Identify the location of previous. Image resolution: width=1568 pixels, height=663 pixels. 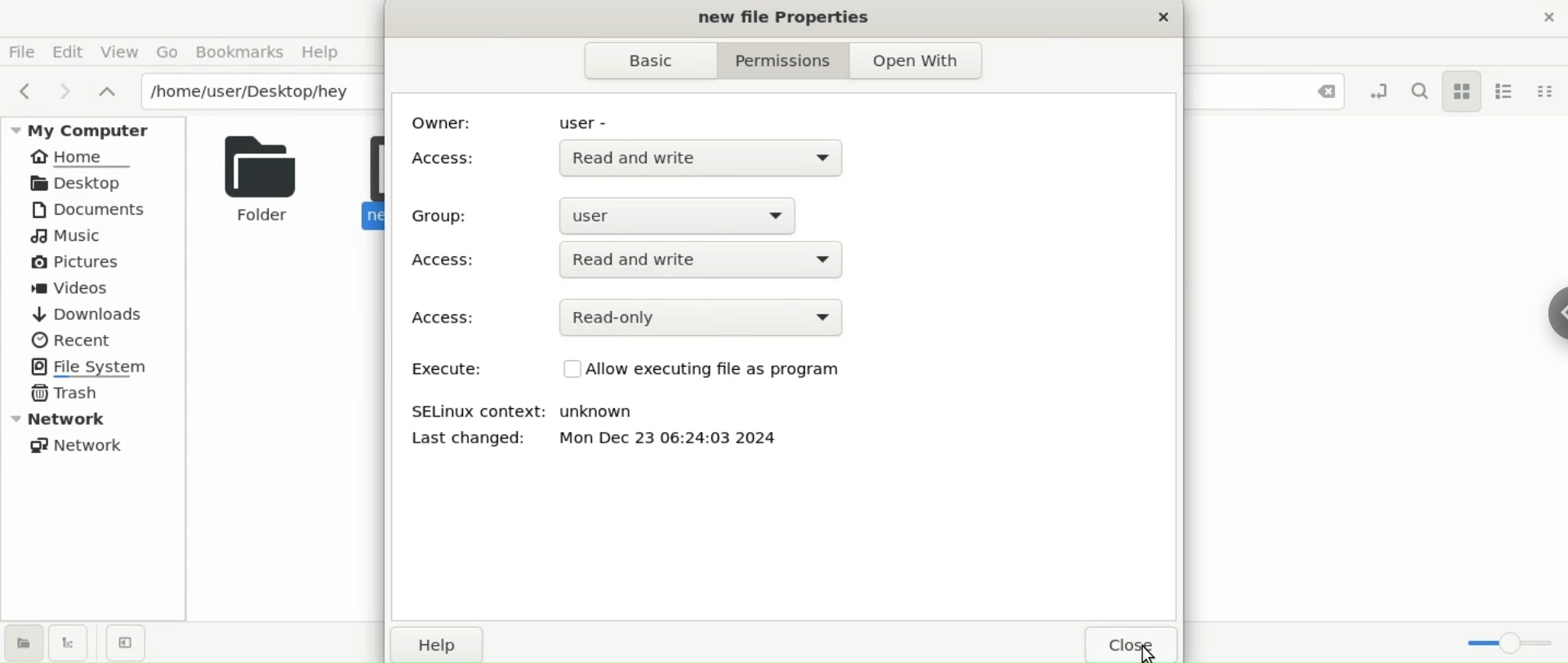
(24, 90).